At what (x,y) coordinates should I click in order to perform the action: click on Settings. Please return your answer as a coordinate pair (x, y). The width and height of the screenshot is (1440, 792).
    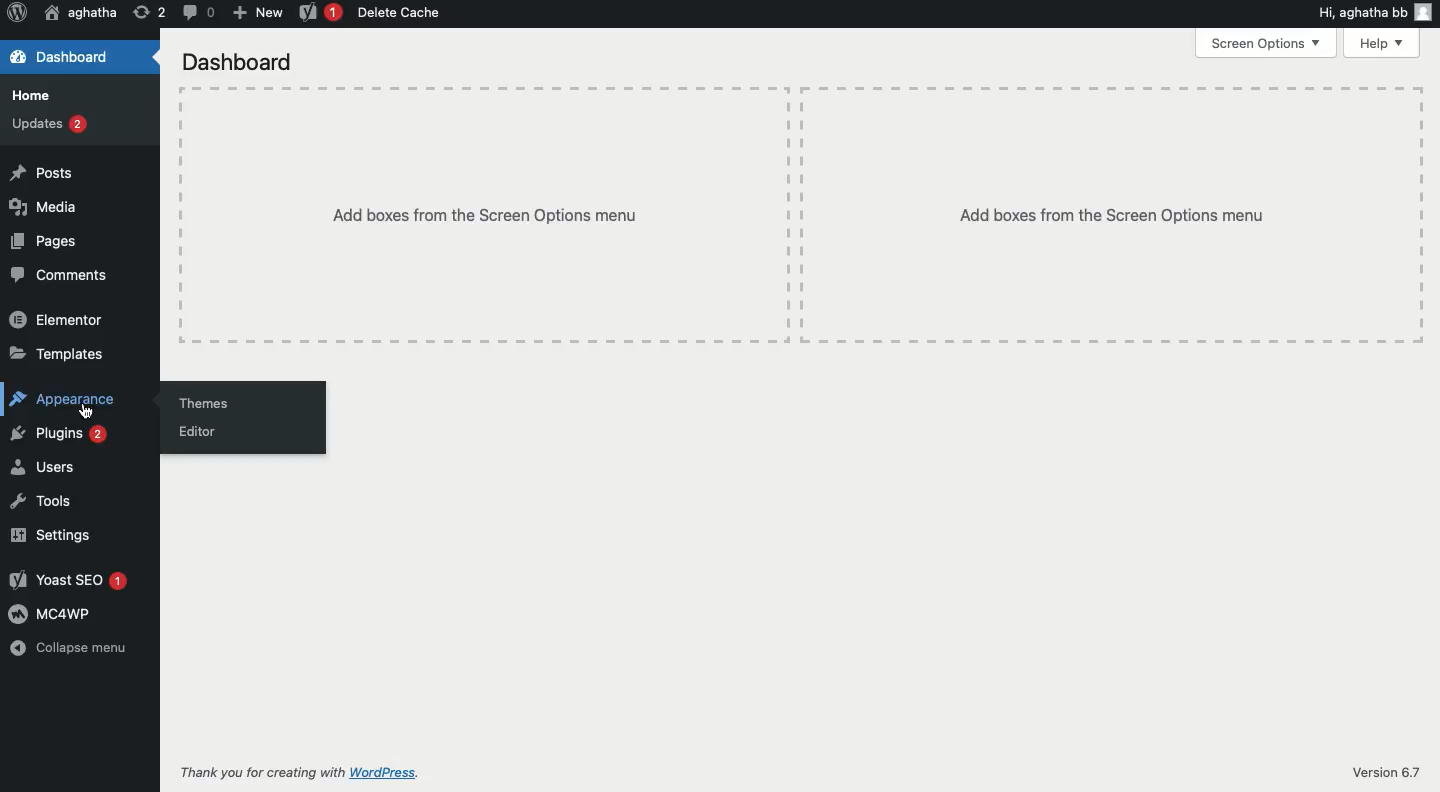
    Looking at the image, I should click on (50, 534).